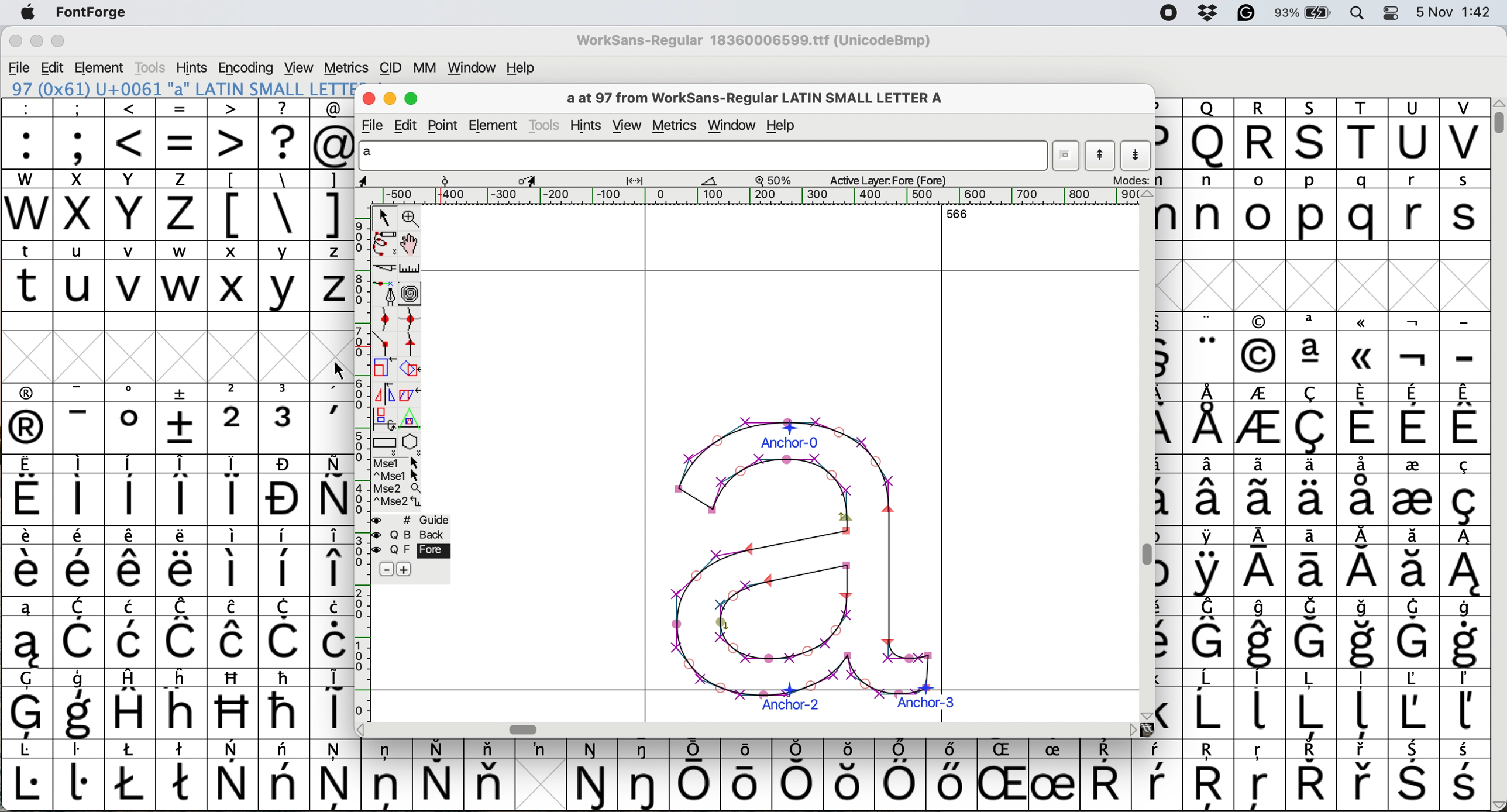 Image resolution: width=1507 pixels, height=812 pixels. Describe the element at coordinates (130, 418) in the screenshot. I see `symbol` at that location.